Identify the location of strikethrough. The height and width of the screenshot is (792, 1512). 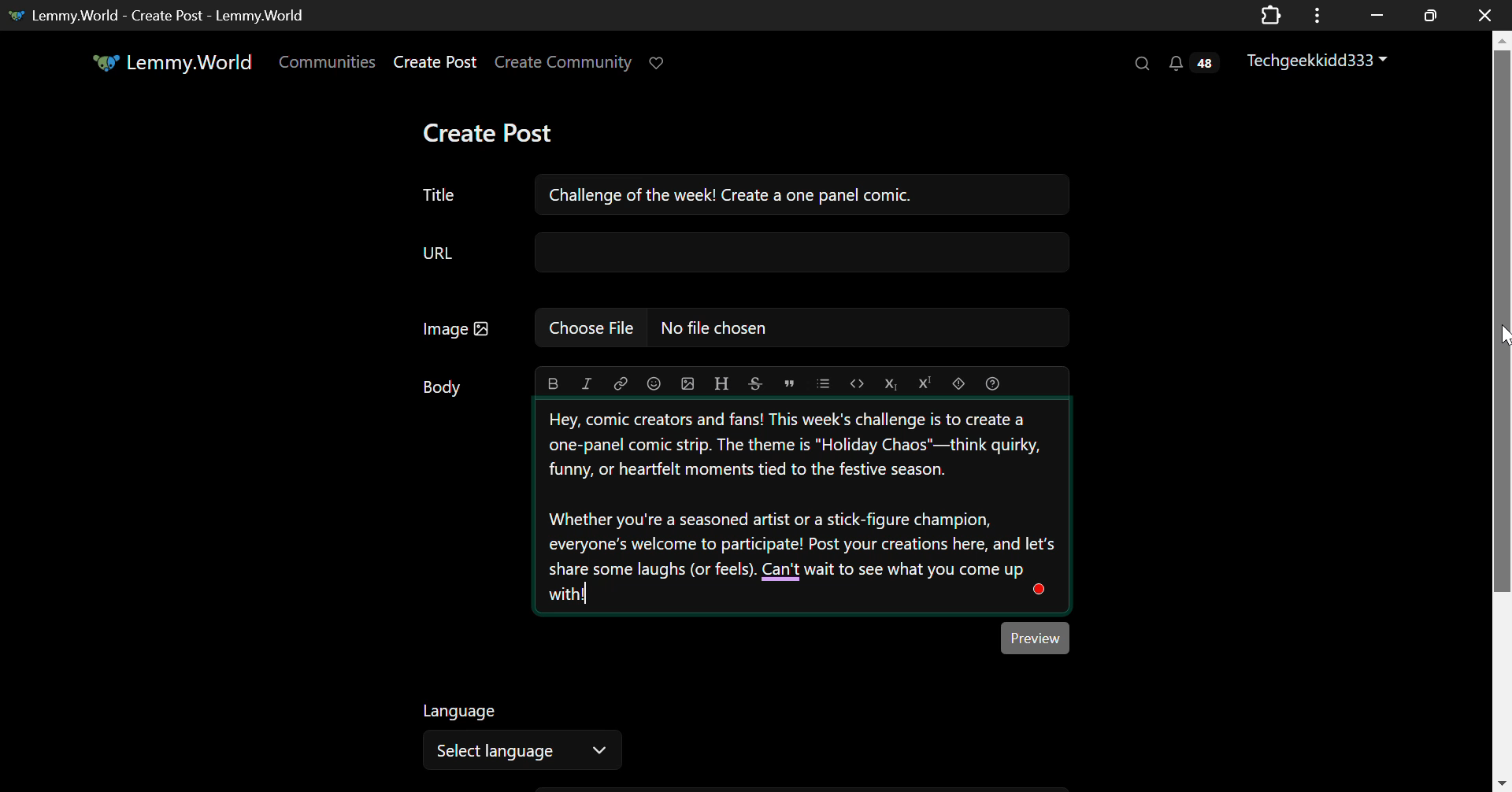
(755, 384).